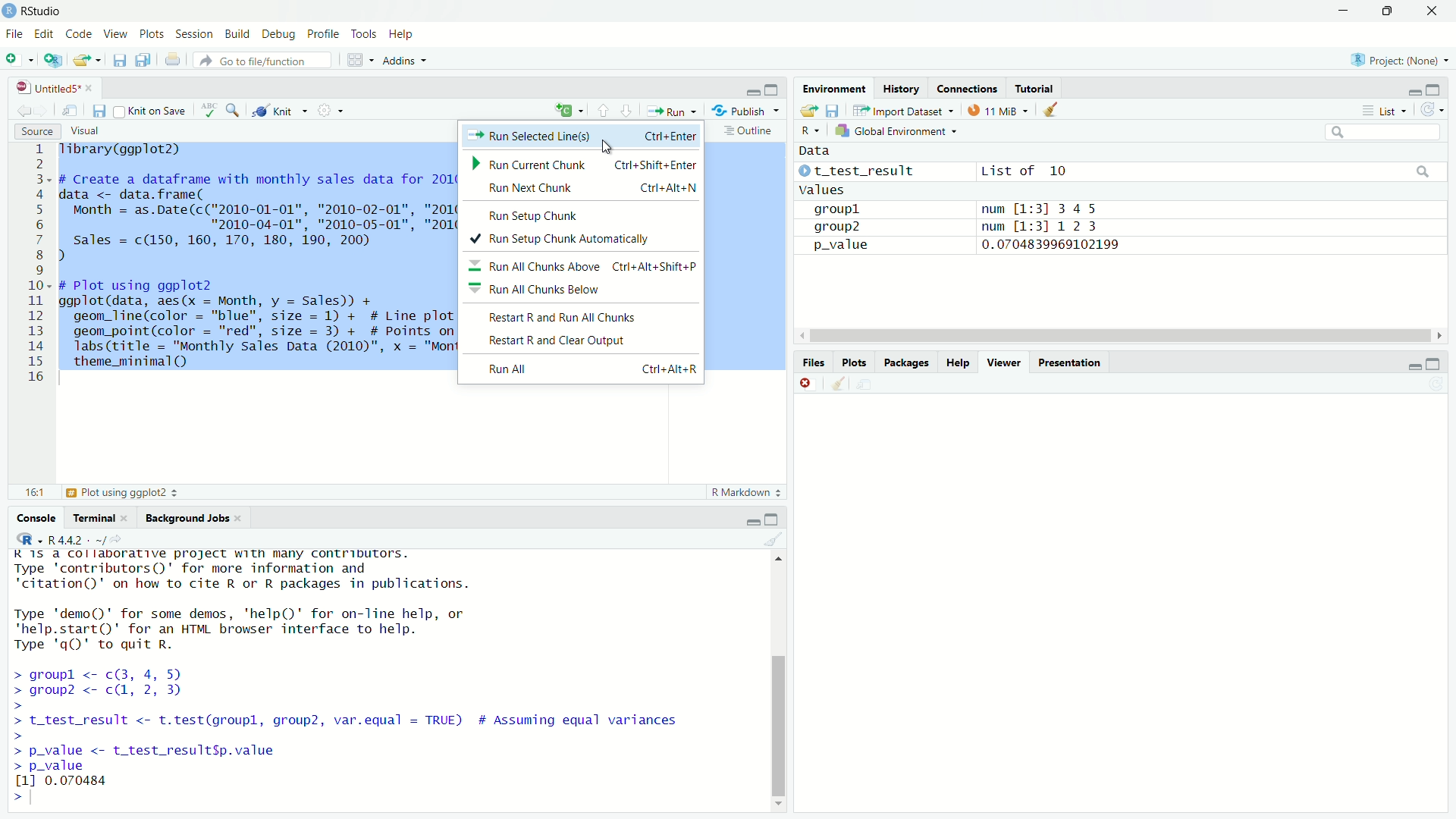  Describe the element at coordinates (806, 382) in the screenshot. I see `close` at that location.